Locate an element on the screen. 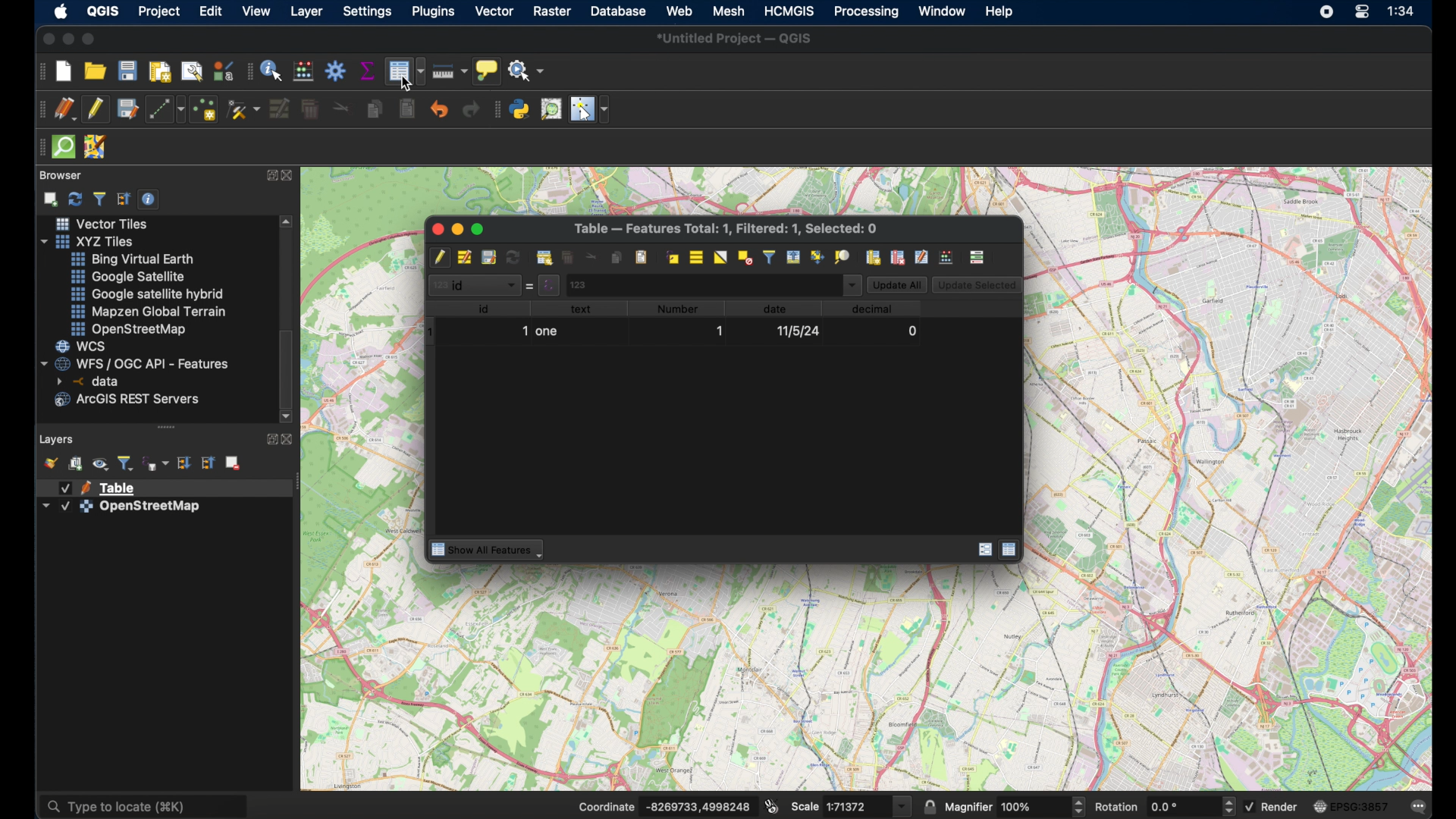 The width and height of the screenshot is (1456, 819). bing virtual earth is located at coordinates (134, 257).